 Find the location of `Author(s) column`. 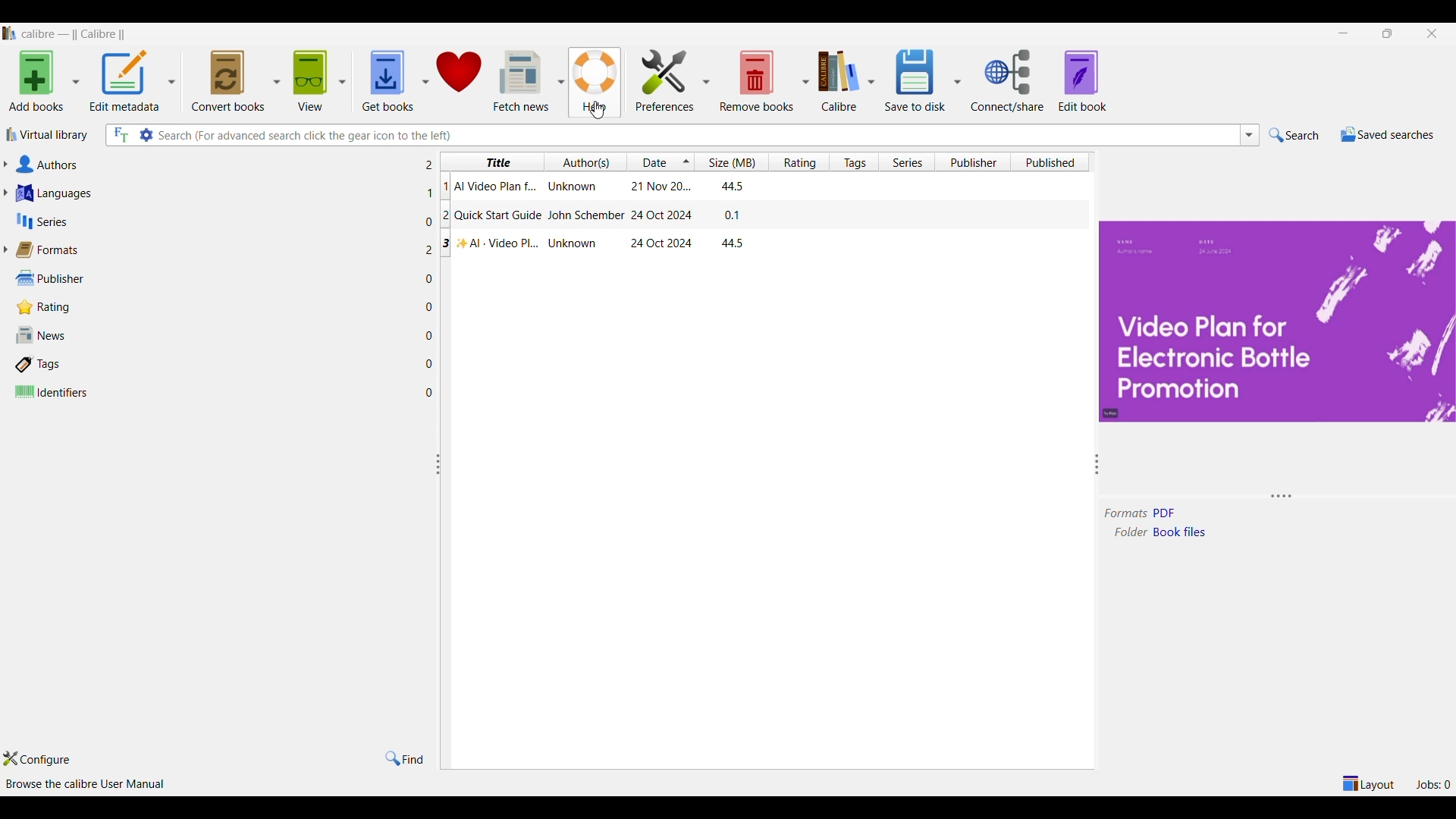

Author(s) column is located at coordinates (586, 162).